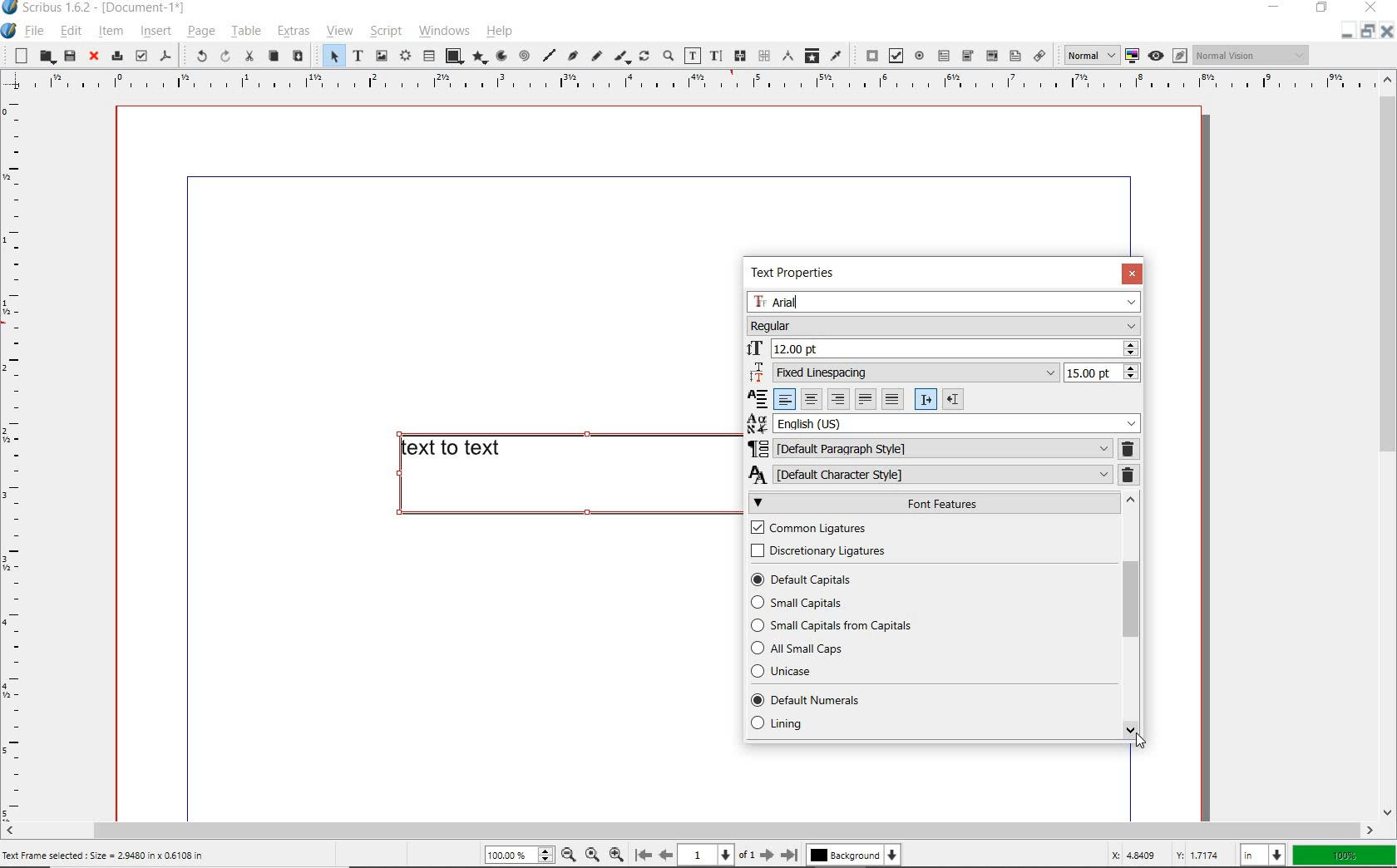  I want to click on 1 of 1, so click(716, 855).